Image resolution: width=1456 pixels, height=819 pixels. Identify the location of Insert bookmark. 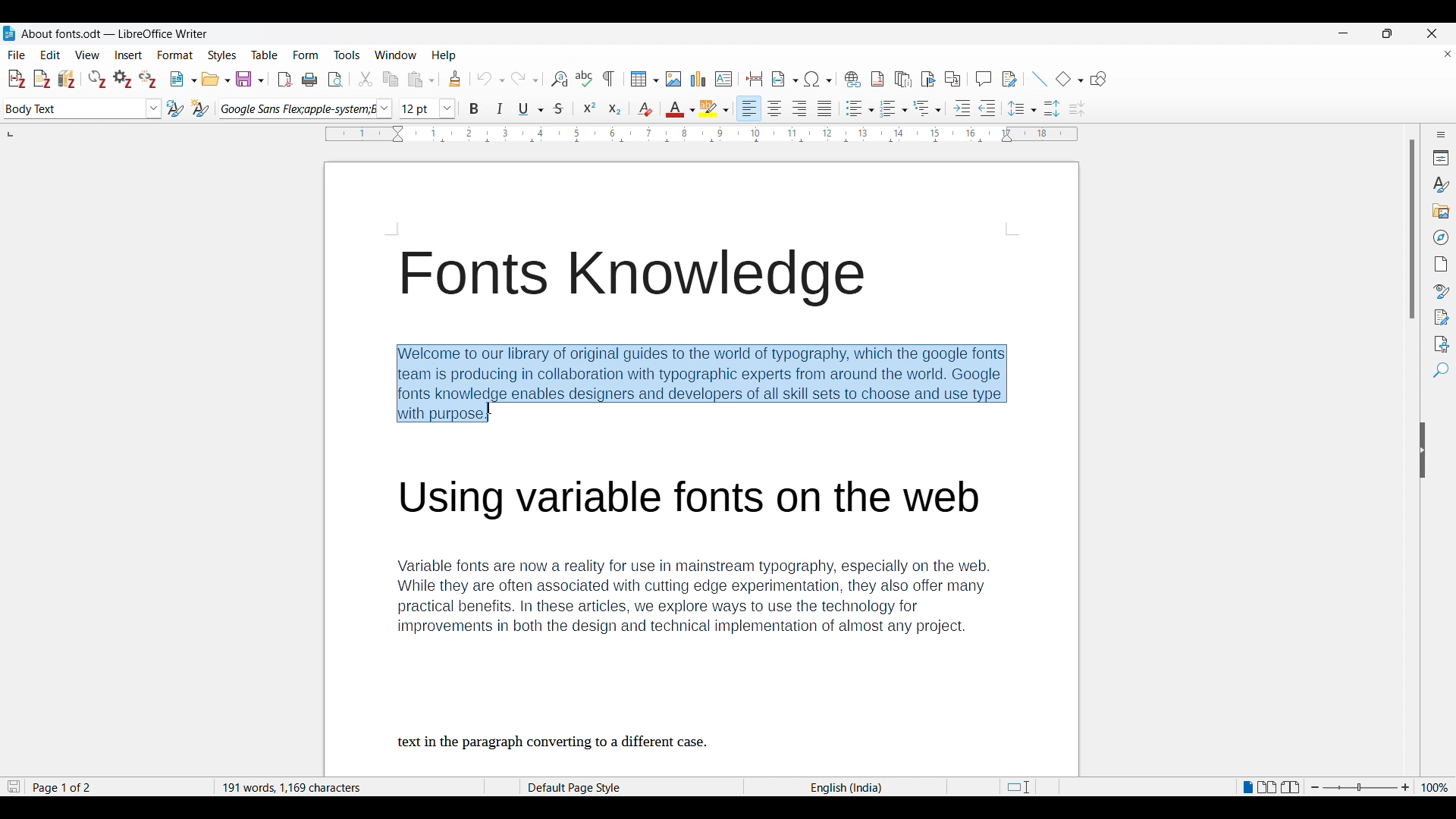
(929, 80).